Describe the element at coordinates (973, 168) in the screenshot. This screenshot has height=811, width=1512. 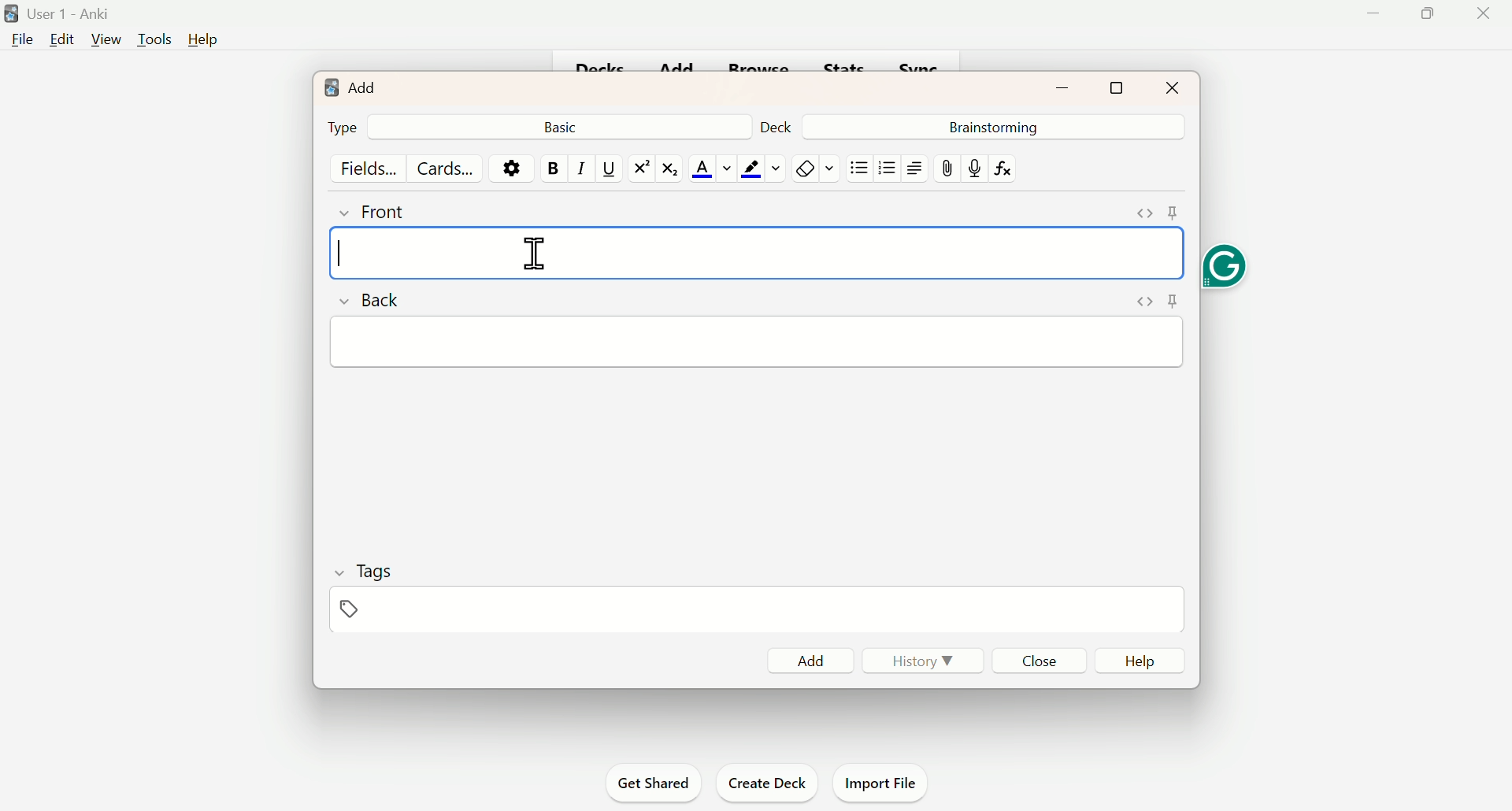
I see `mic` at that location.